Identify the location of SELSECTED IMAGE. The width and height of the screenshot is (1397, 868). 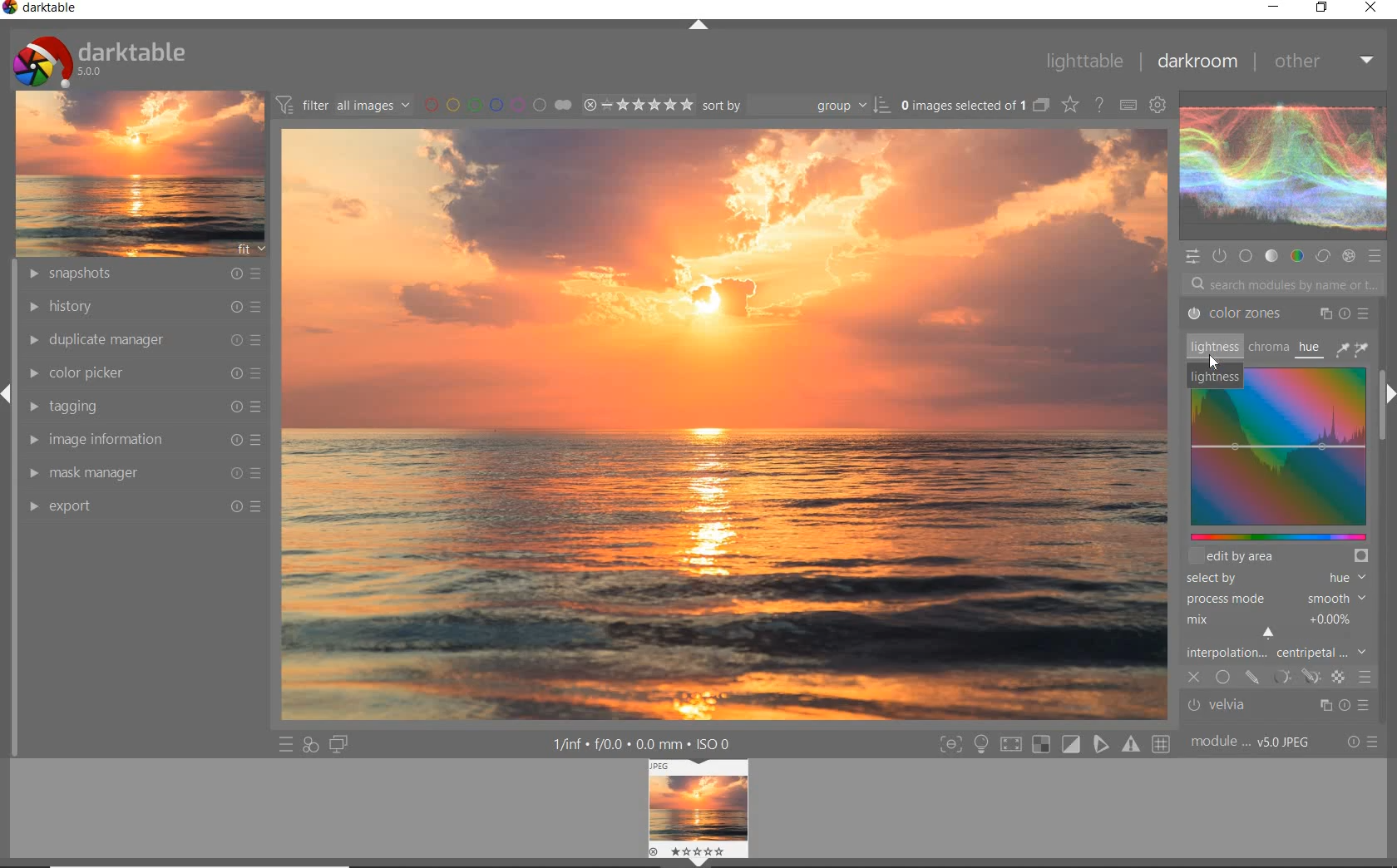
(960, 105).